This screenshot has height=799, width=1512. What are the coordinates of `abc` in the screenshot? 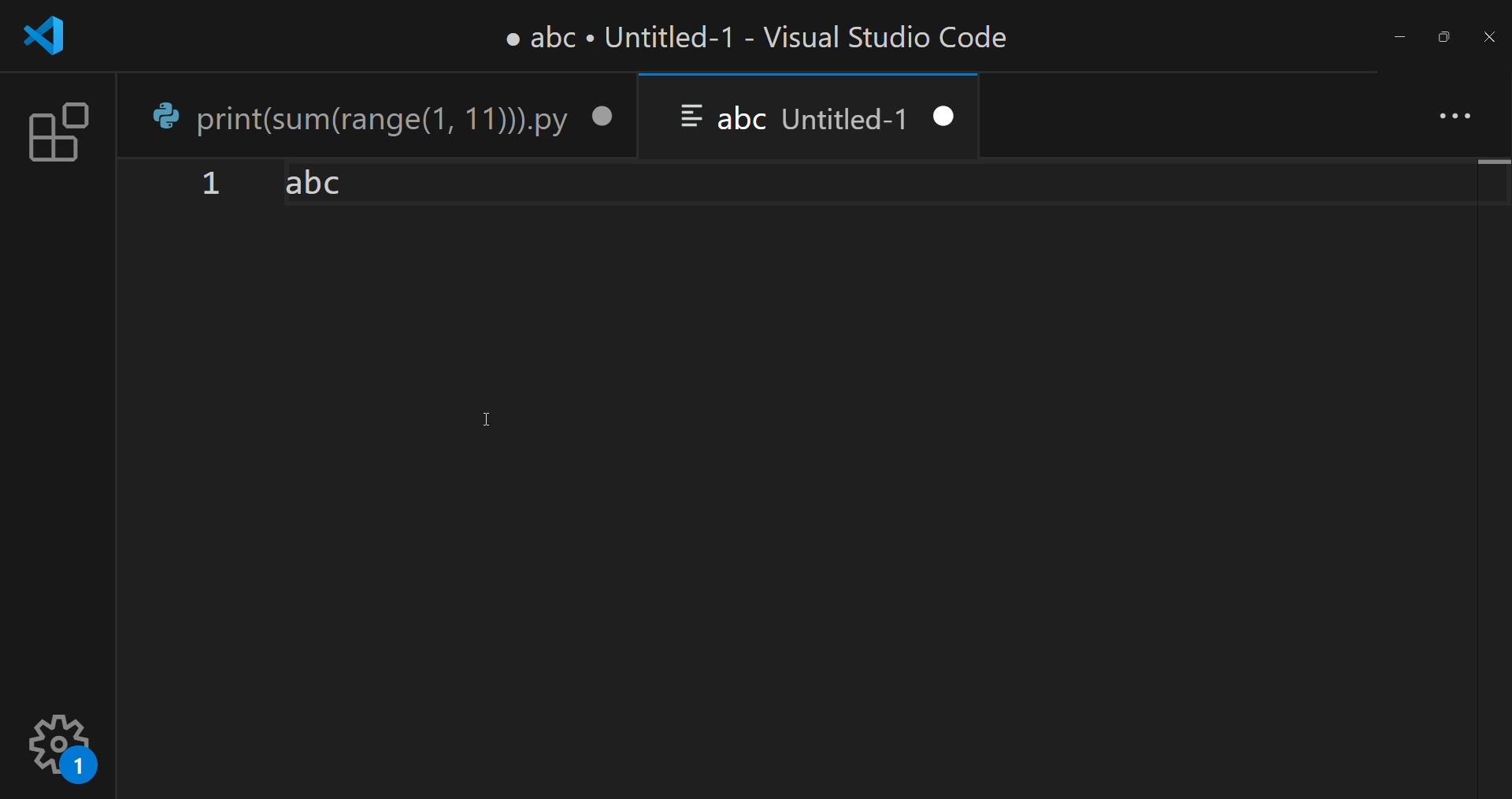 It's located at (329, 188).